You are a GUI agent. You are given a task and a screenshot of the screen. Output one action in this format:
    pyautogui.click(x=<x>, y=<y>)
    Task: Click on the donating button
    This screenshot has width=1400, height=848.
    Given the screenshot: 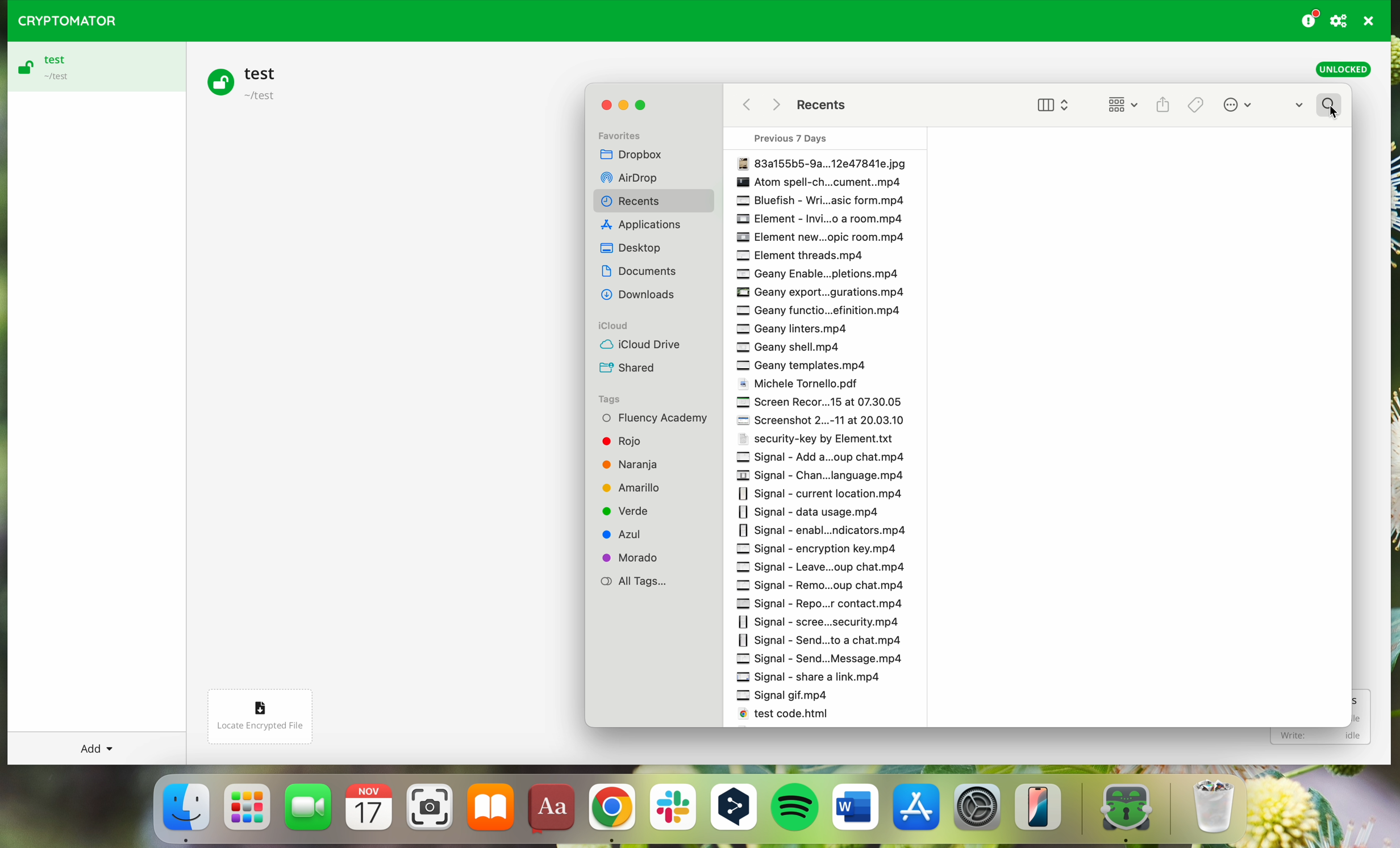 What is the action you would take?
    pyautogui.click(x=1310, y=19)
    